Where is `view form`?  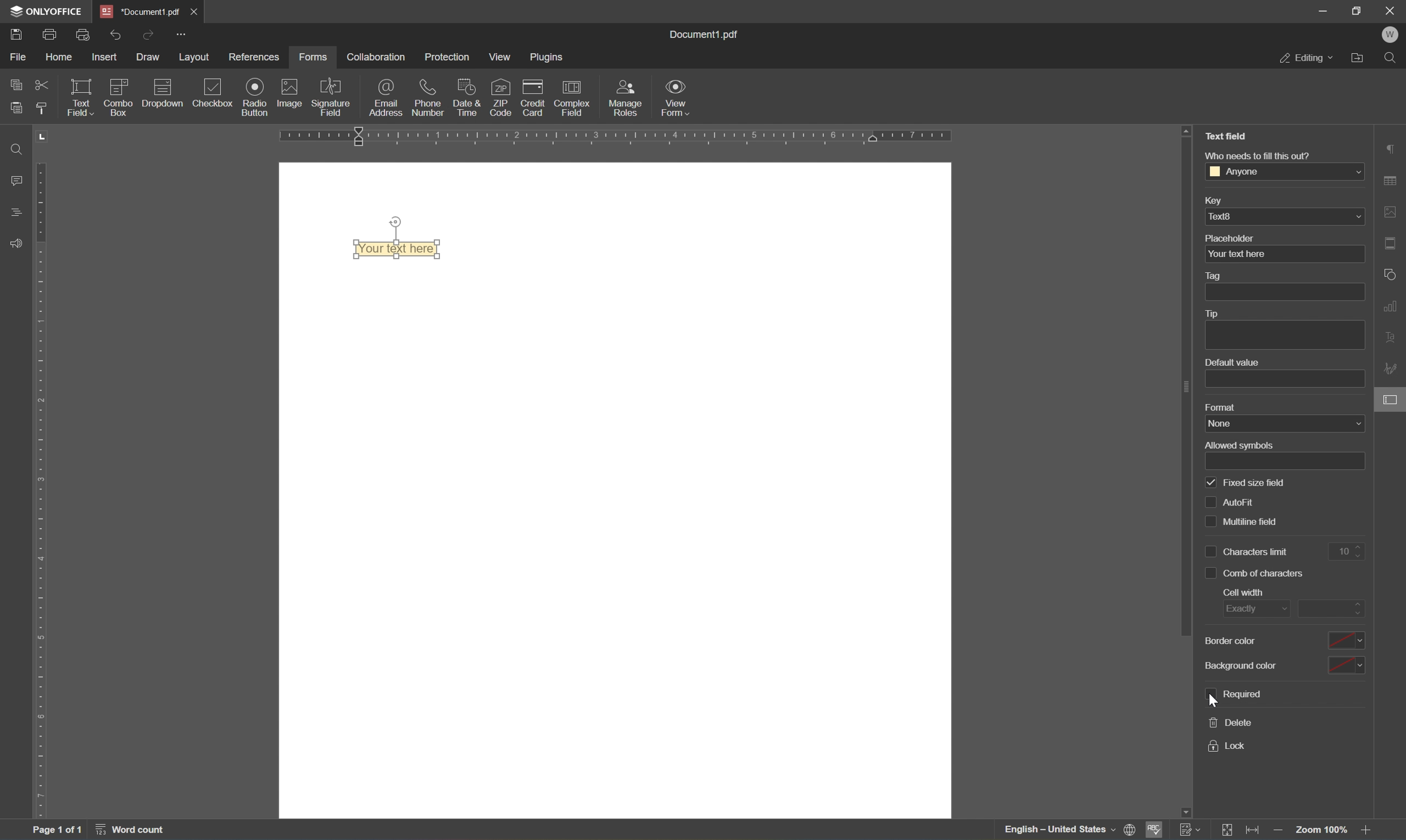 view form is located at coordinates (677, 97).